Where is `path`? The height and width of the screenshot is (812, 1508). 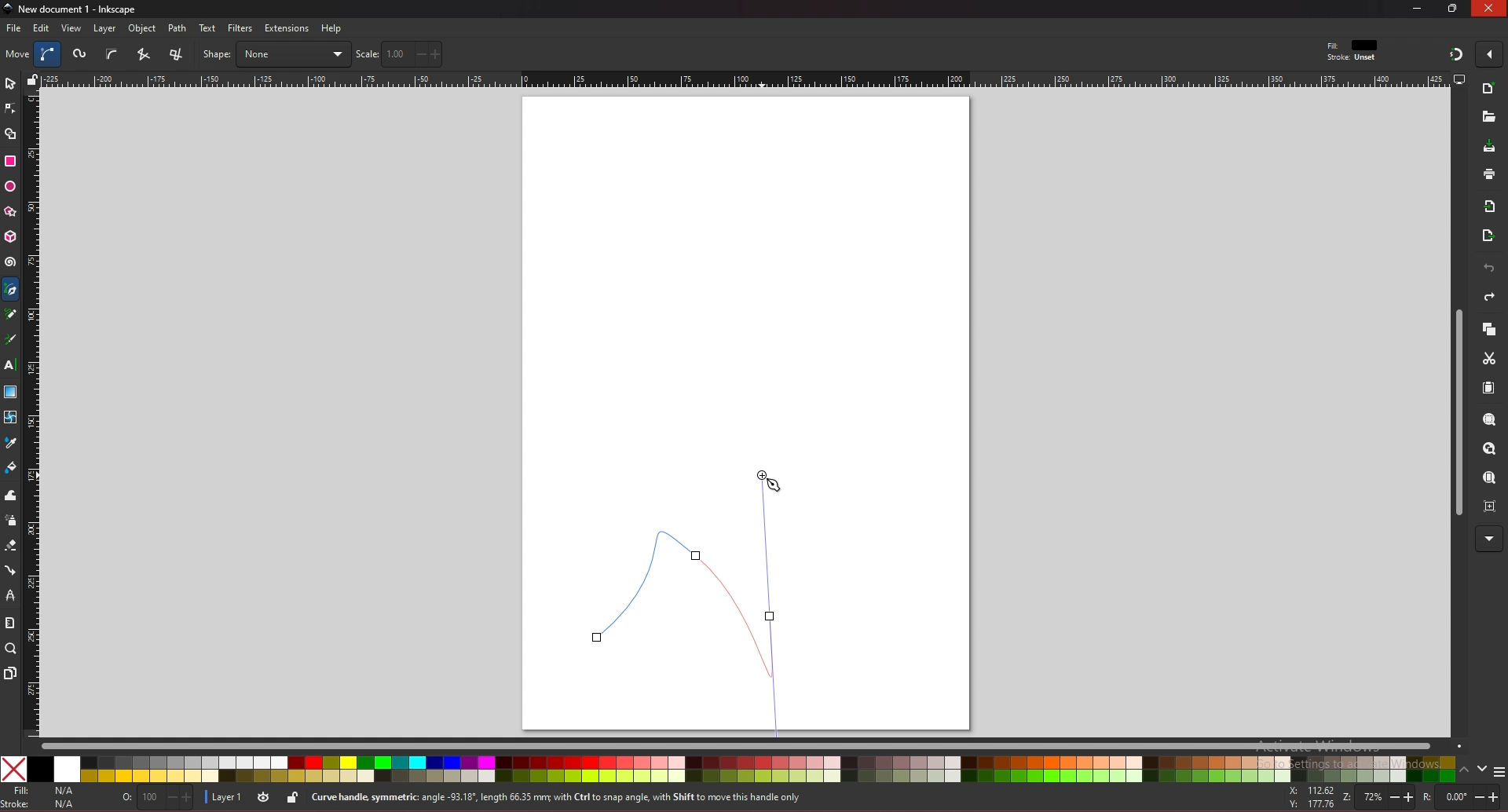 path is located at coordinates (178, 28).